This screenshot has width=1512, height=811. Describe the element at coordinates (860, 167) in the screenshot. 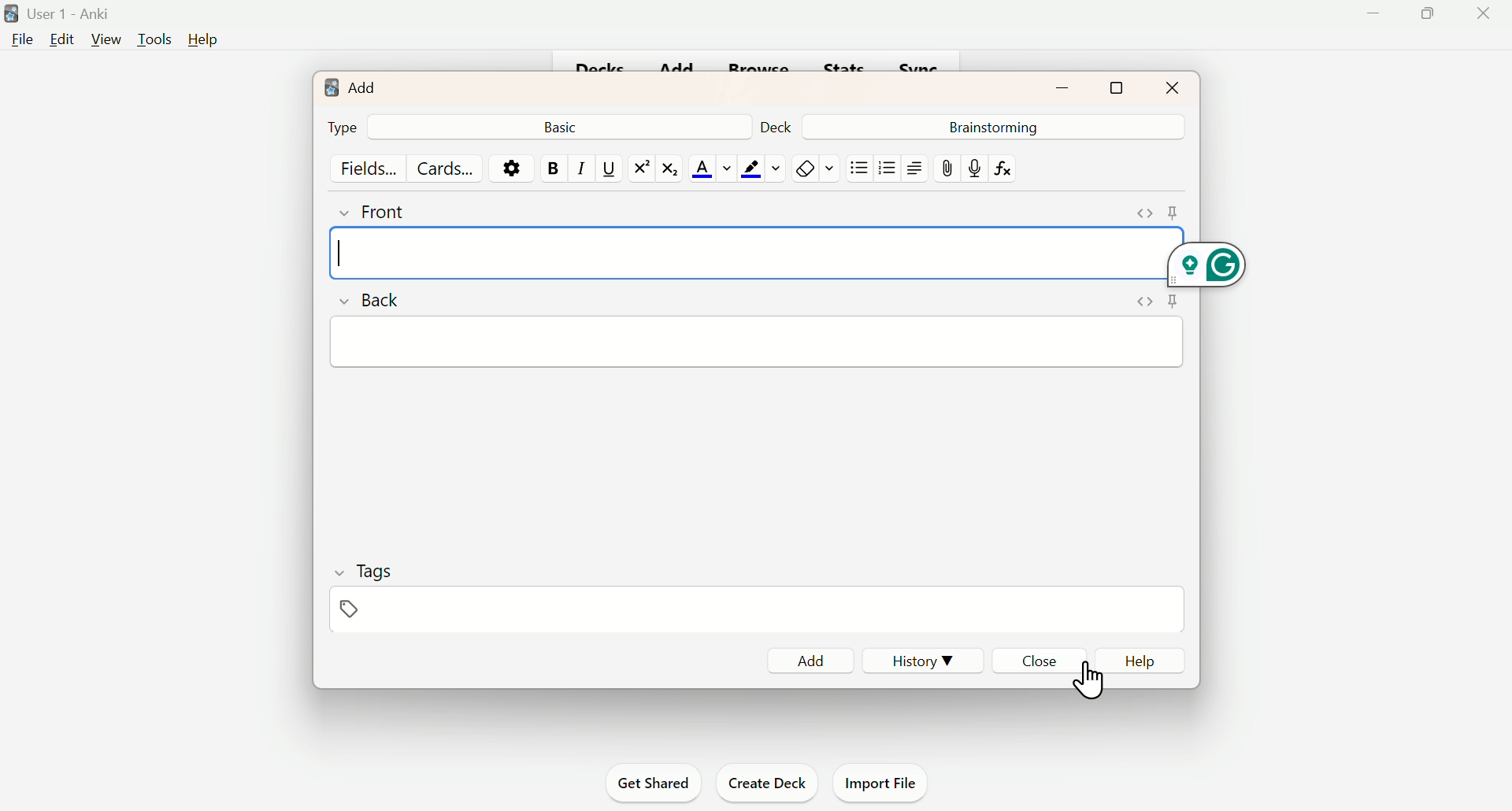

I see `Unorganised list` at that location.